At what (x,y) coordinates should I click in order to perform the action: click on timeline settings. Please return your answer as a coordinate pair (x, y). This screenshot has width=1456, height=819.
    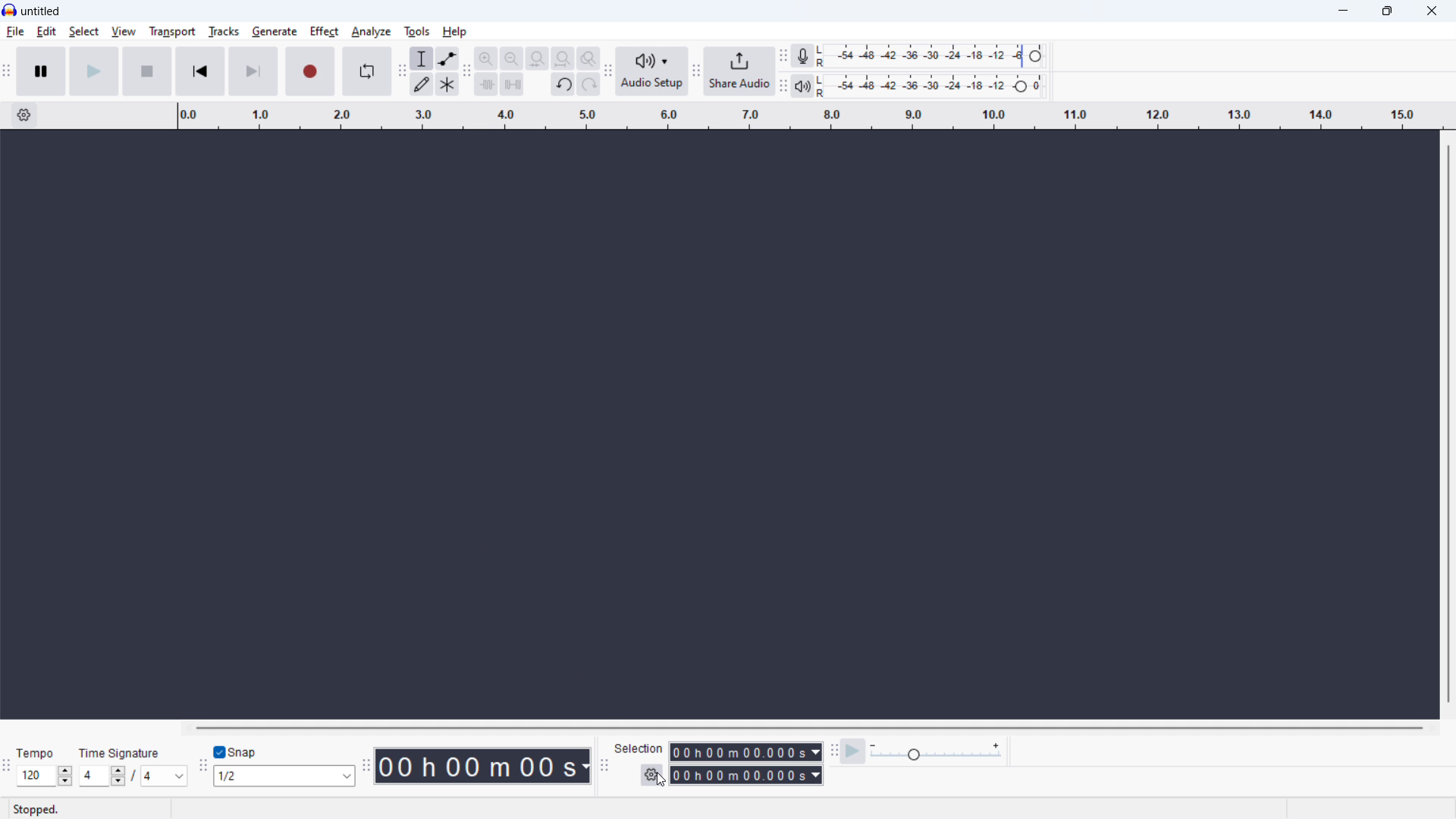
    Looking at the image, I should click on (24, 115).